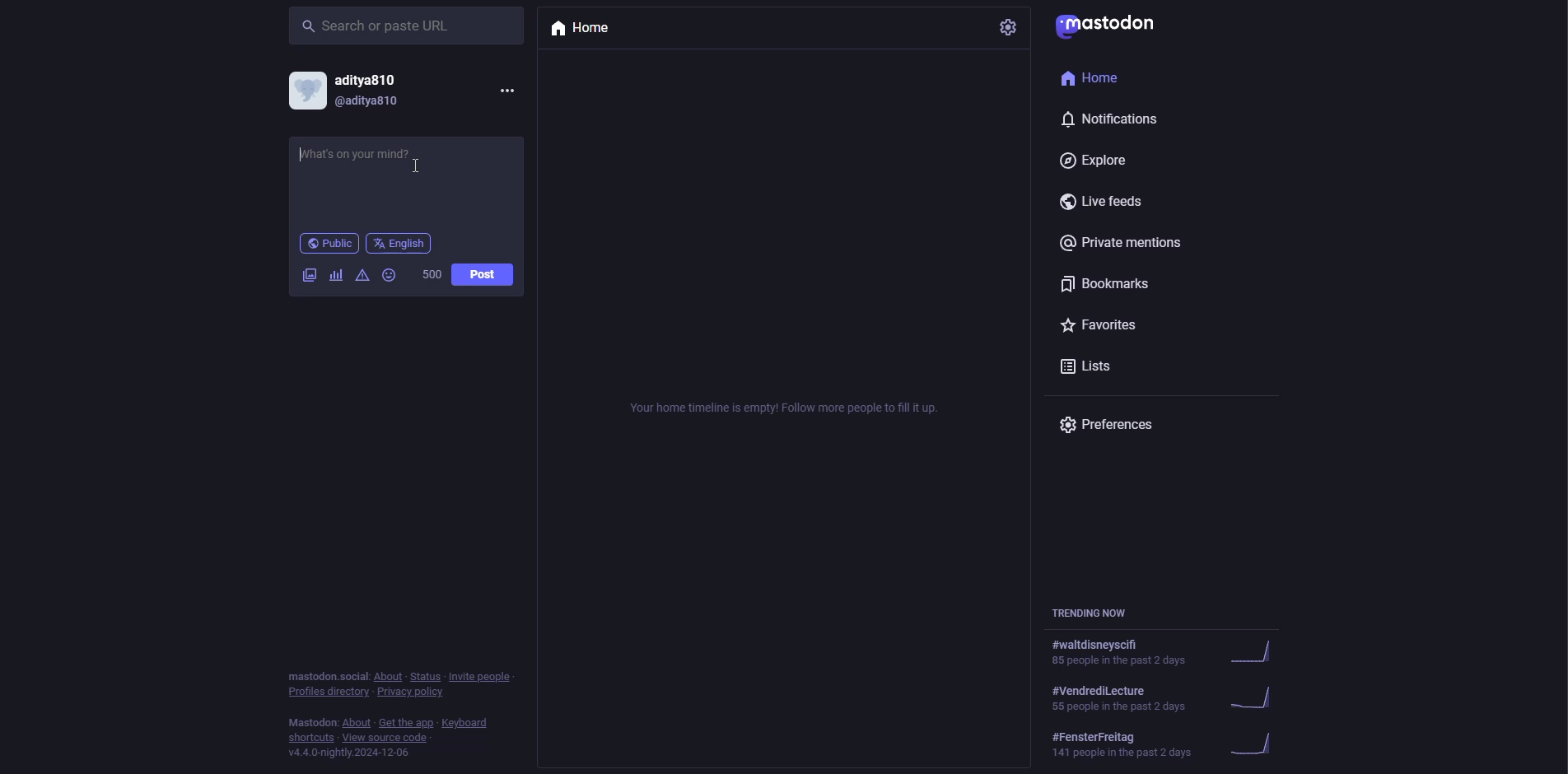 The height and width of the screenshot is (774, 1568). What do you see at coordinates (364, 276) in the screenshot?
I see `advanced` at bounding box center [364, 276].